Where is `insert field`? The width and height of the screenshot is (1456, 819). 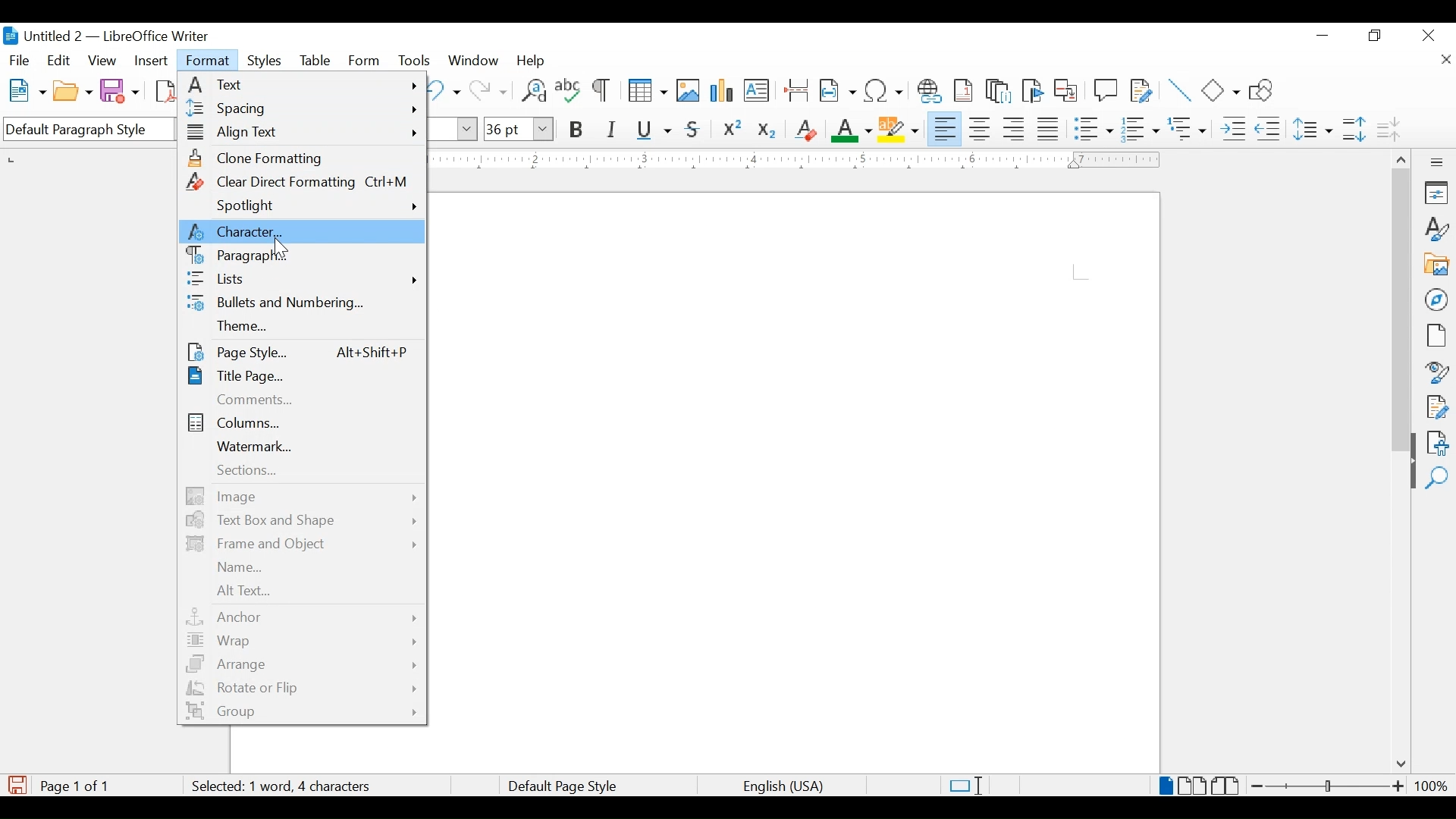
insert field is located at coordinates (838, 90).